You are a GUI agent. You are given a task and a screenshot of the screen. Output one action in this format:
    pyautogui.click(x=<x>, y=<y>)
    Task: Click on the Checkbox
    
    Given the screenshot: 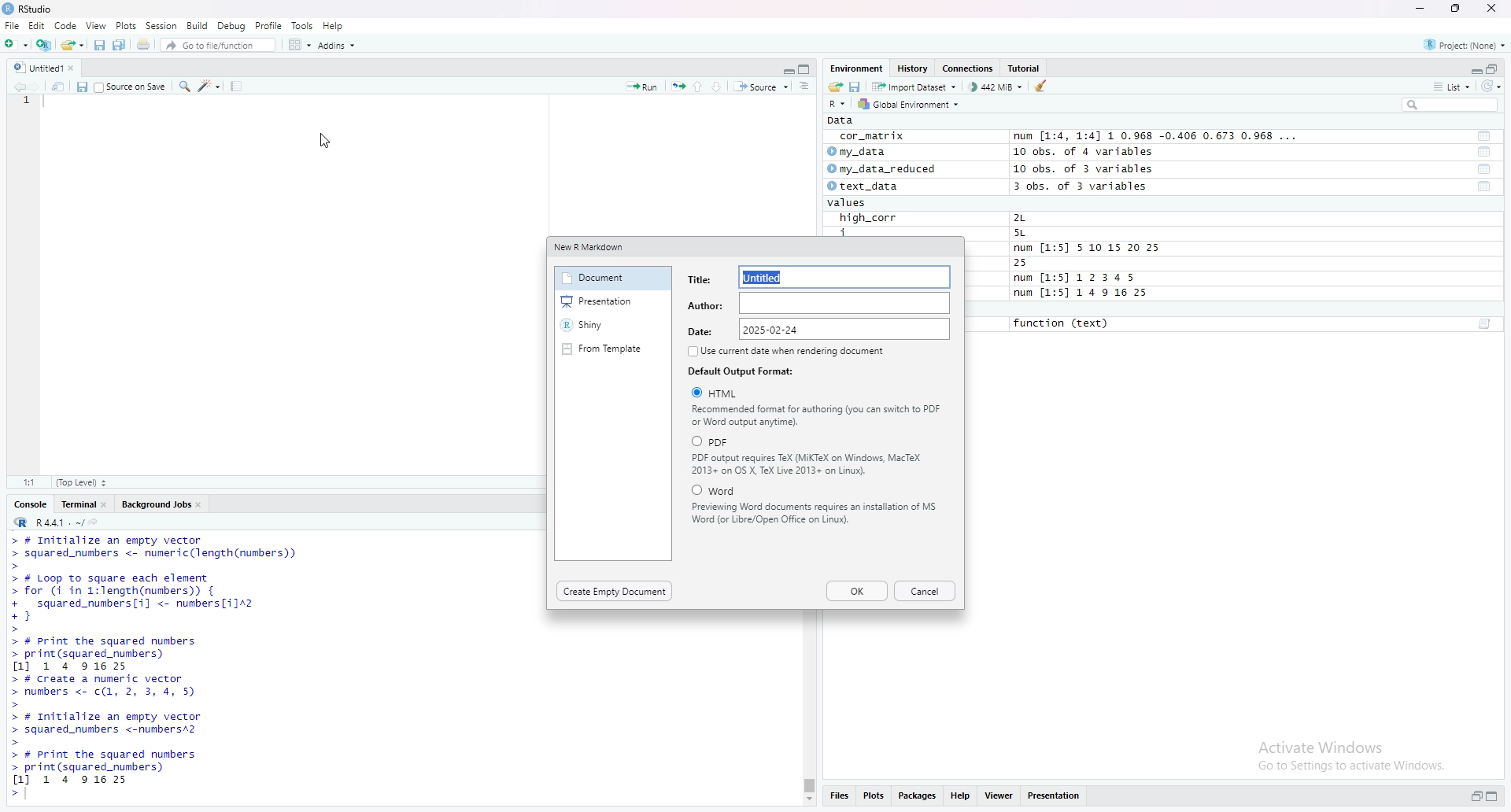 What is the action you would take?
    pyautogui.click(x=689, y=351)
    